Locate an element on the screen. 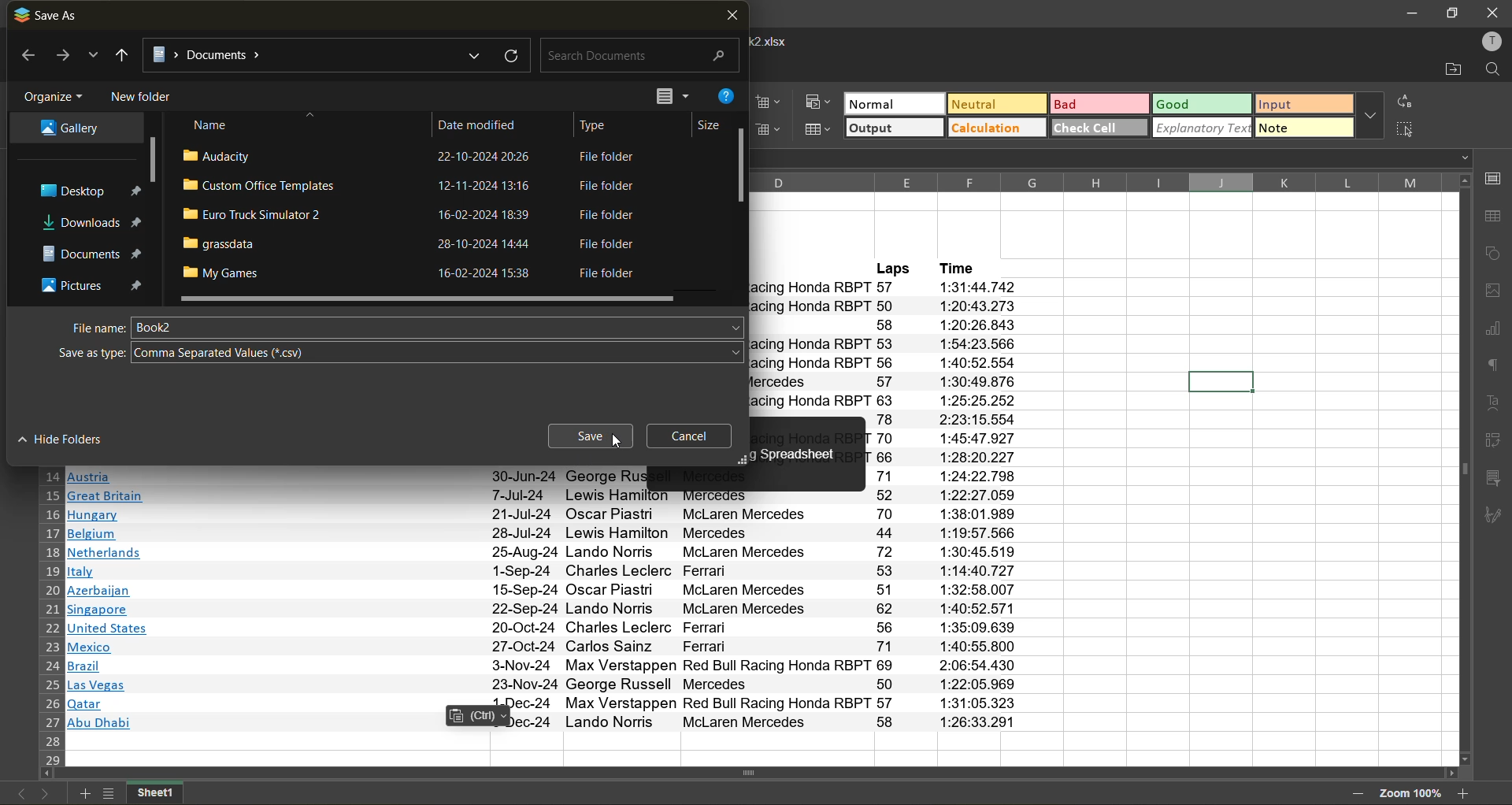 The width and height of the screenshot is (1512, 805). vertical scroll bar is located at coordinates (152, 161).